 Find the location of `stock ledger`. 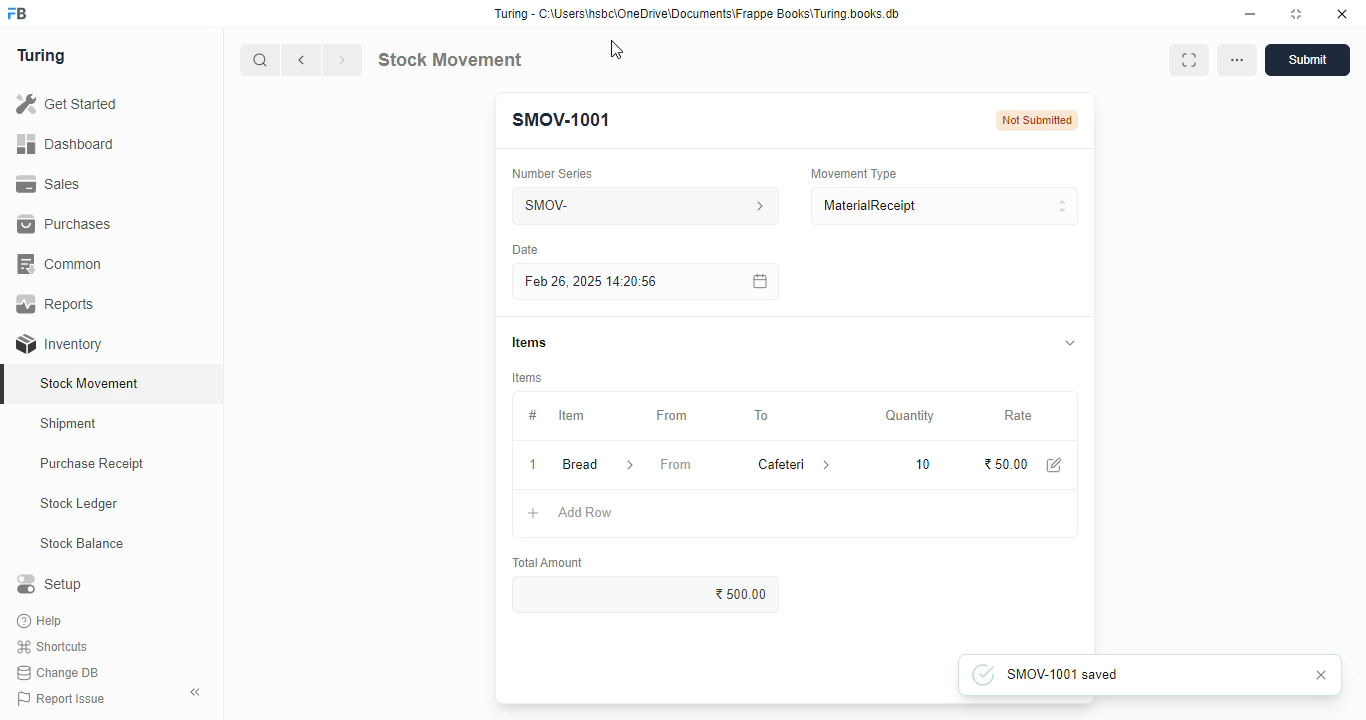

stock ledger is located at coordinates (80, 504).